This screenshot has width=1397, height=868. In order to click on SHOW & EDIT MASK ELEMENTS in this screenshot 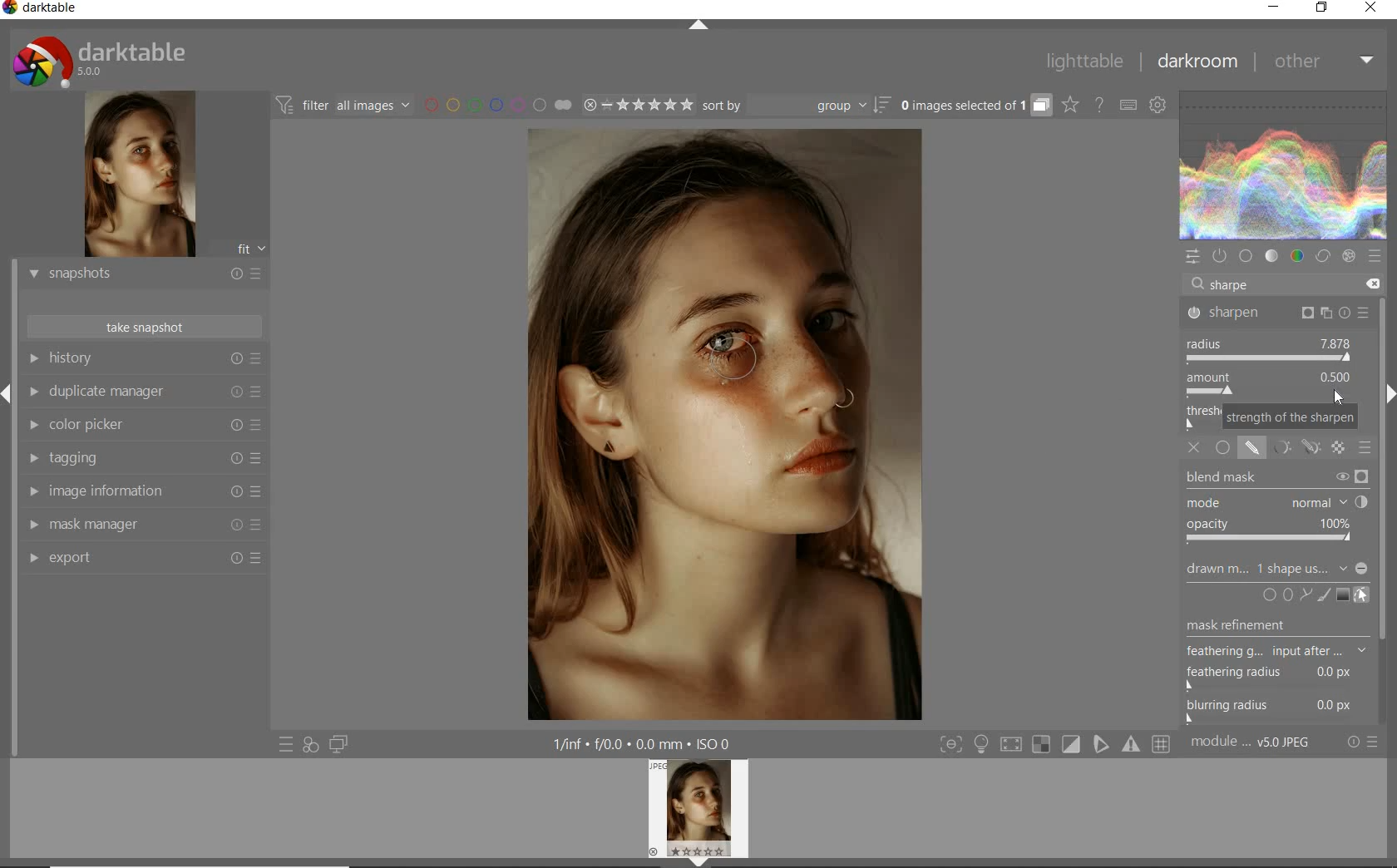, I will do `click(1363, 595)`.